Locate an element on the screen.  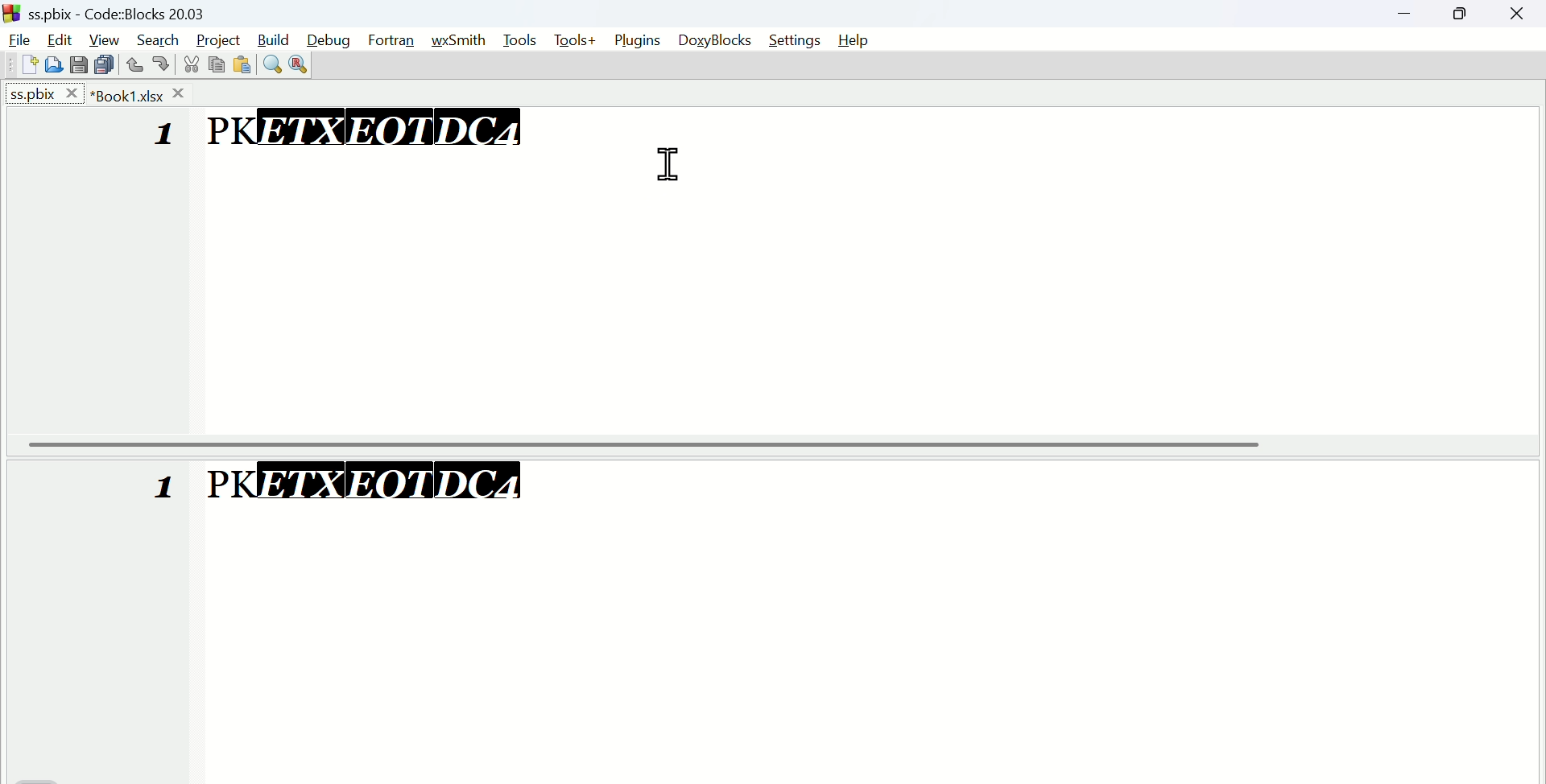
ss.pbix is located at coordinates (44, 93).